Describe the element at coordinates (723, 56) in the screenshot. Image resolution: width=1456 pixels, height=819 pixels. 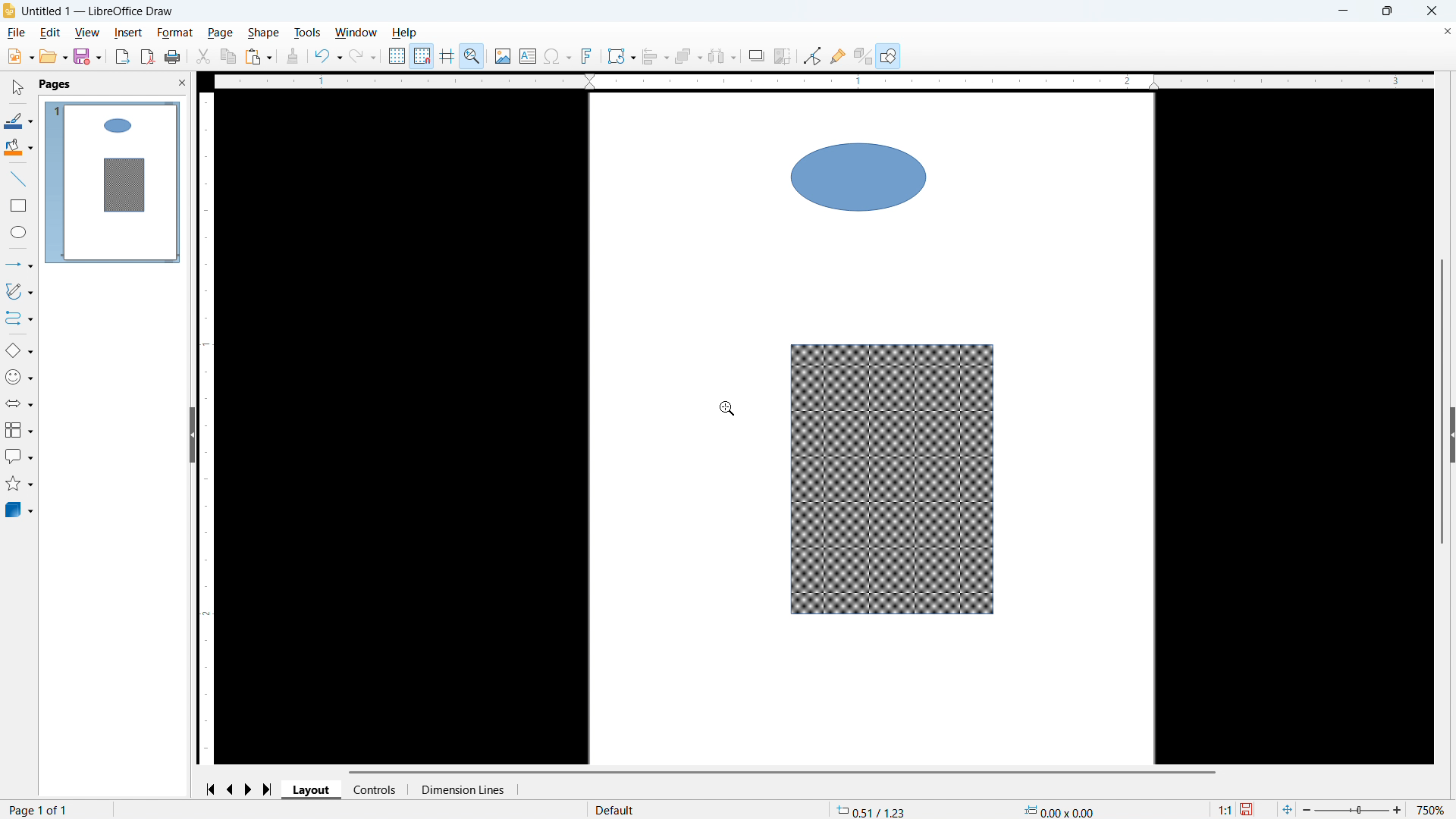
I see `Select at least three objects to distribute ` at that location.